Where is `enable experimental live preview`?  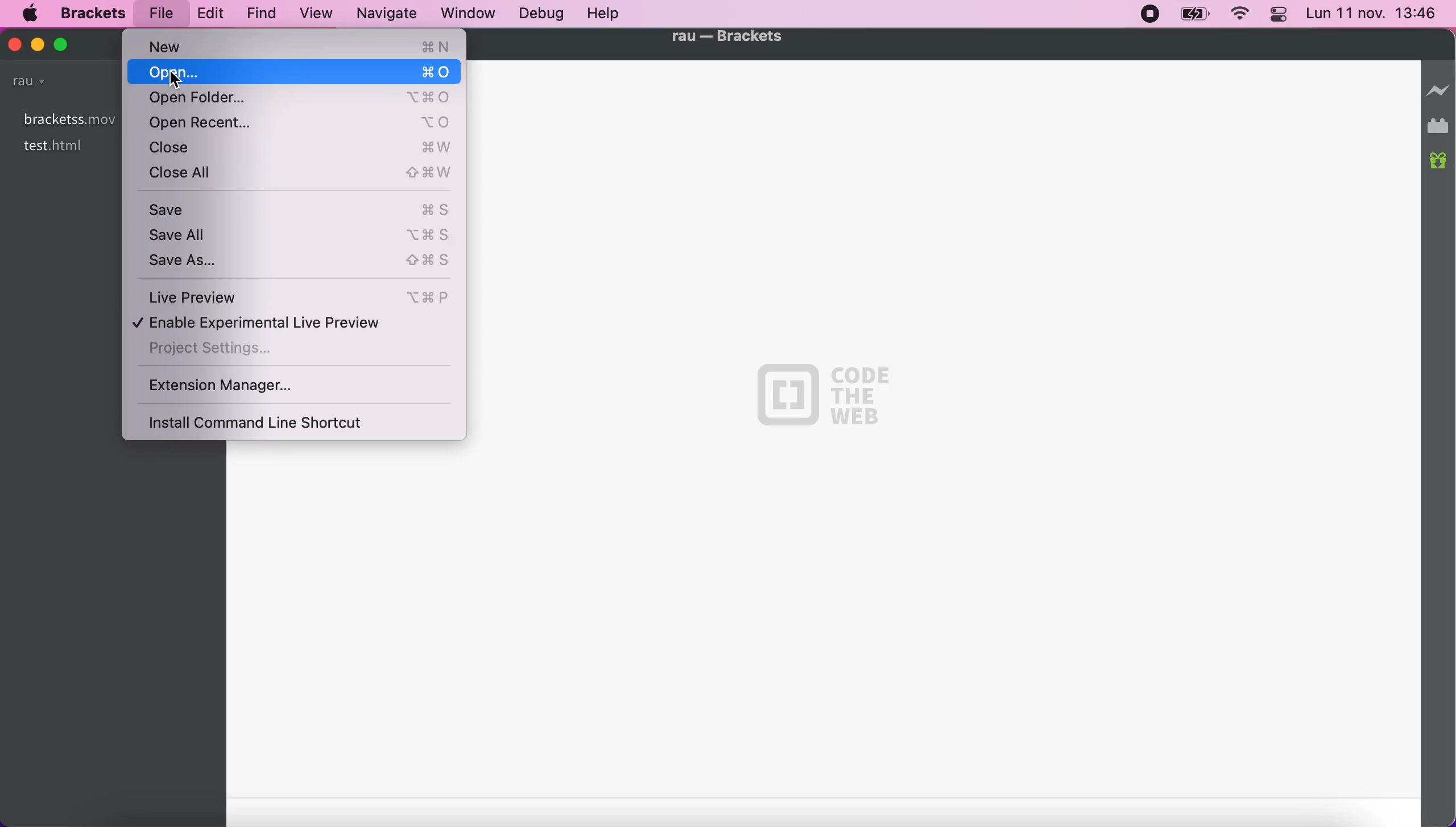
enable experimental live preview is located at coordinates (288, 325).